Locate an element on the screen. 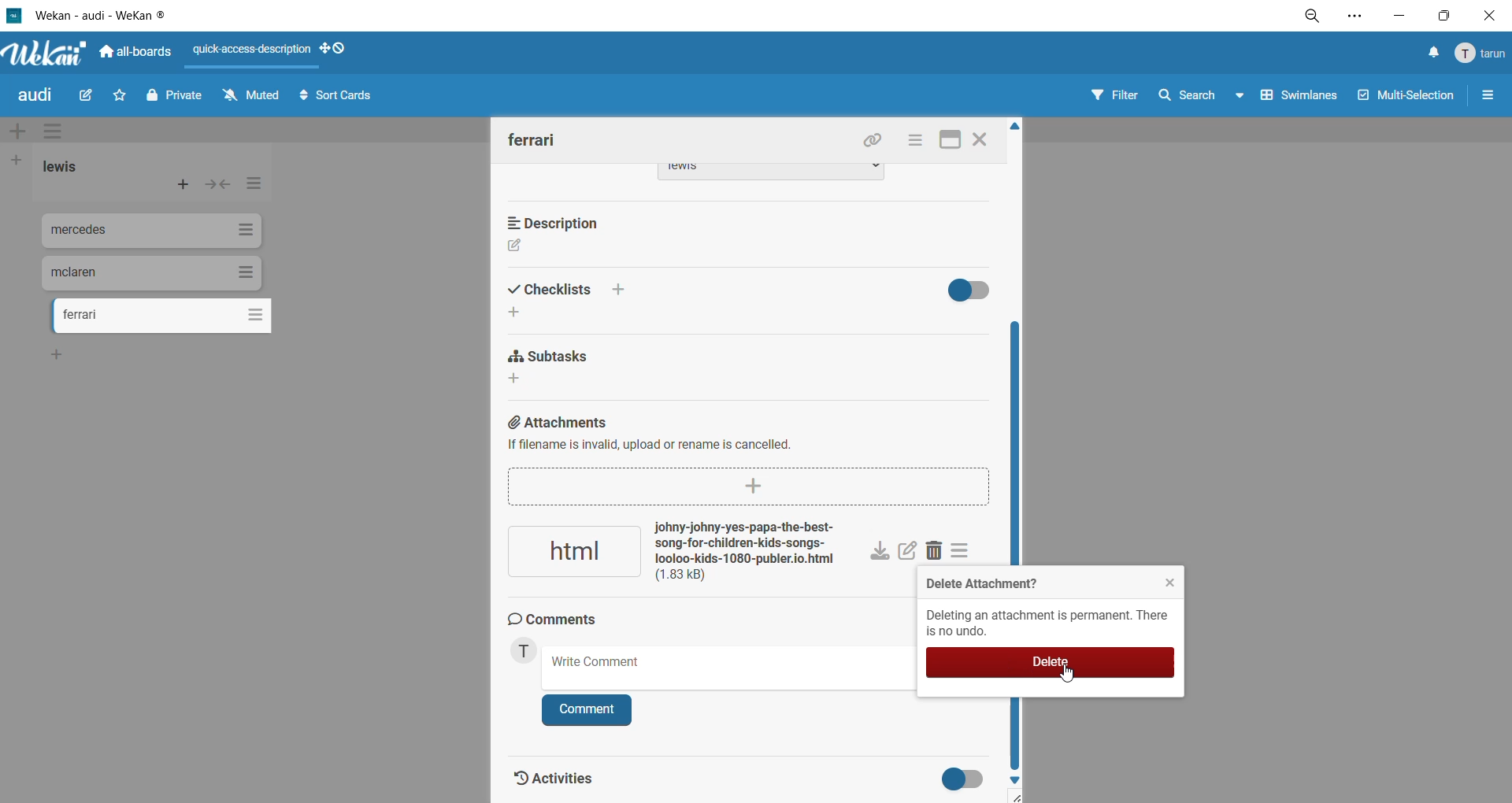 Image resolution: width=1512 pixels, height=803 pixels. add is located at coordinates (519, 313).